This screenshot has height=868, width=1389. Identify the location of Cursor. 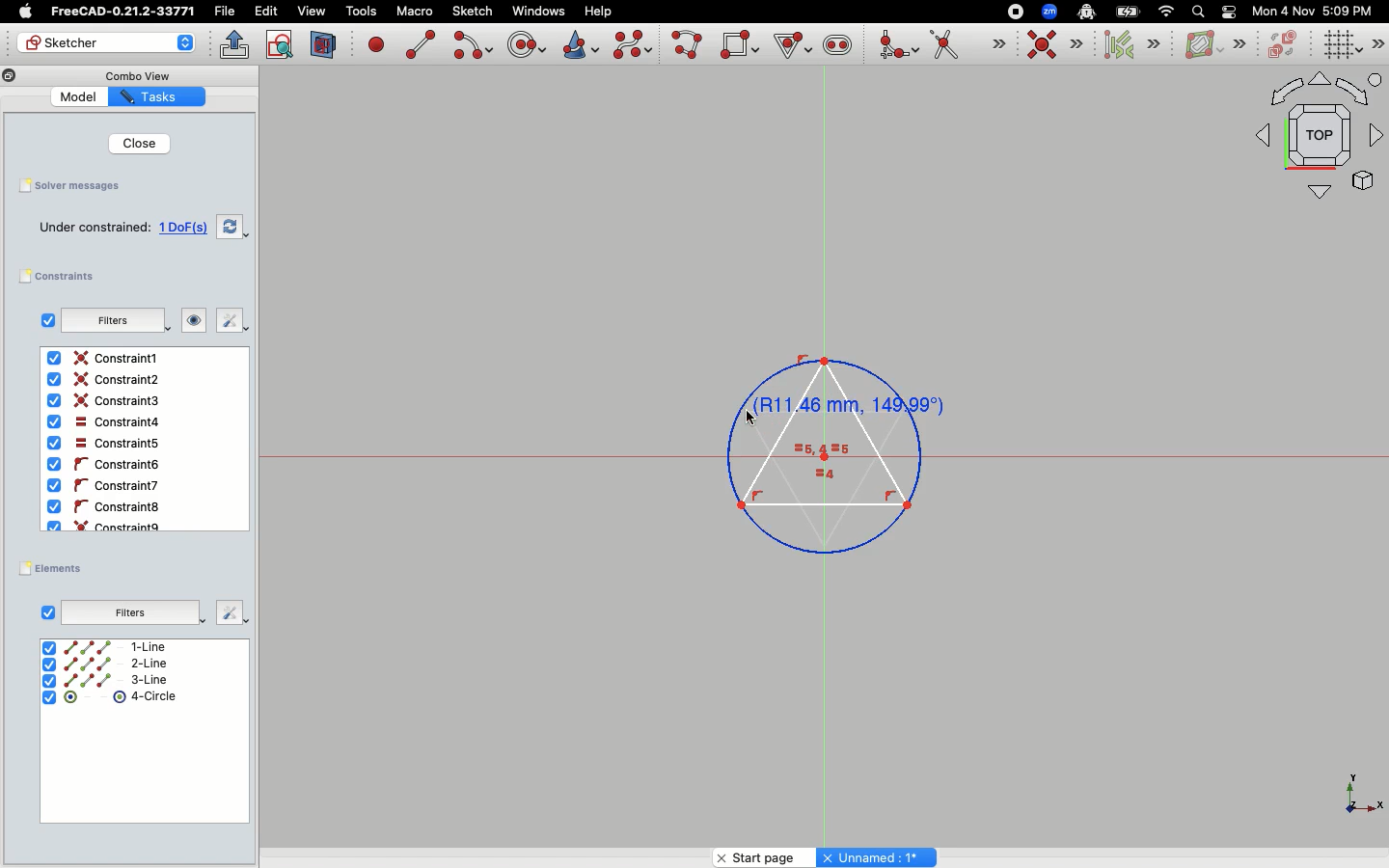
(756, 414).